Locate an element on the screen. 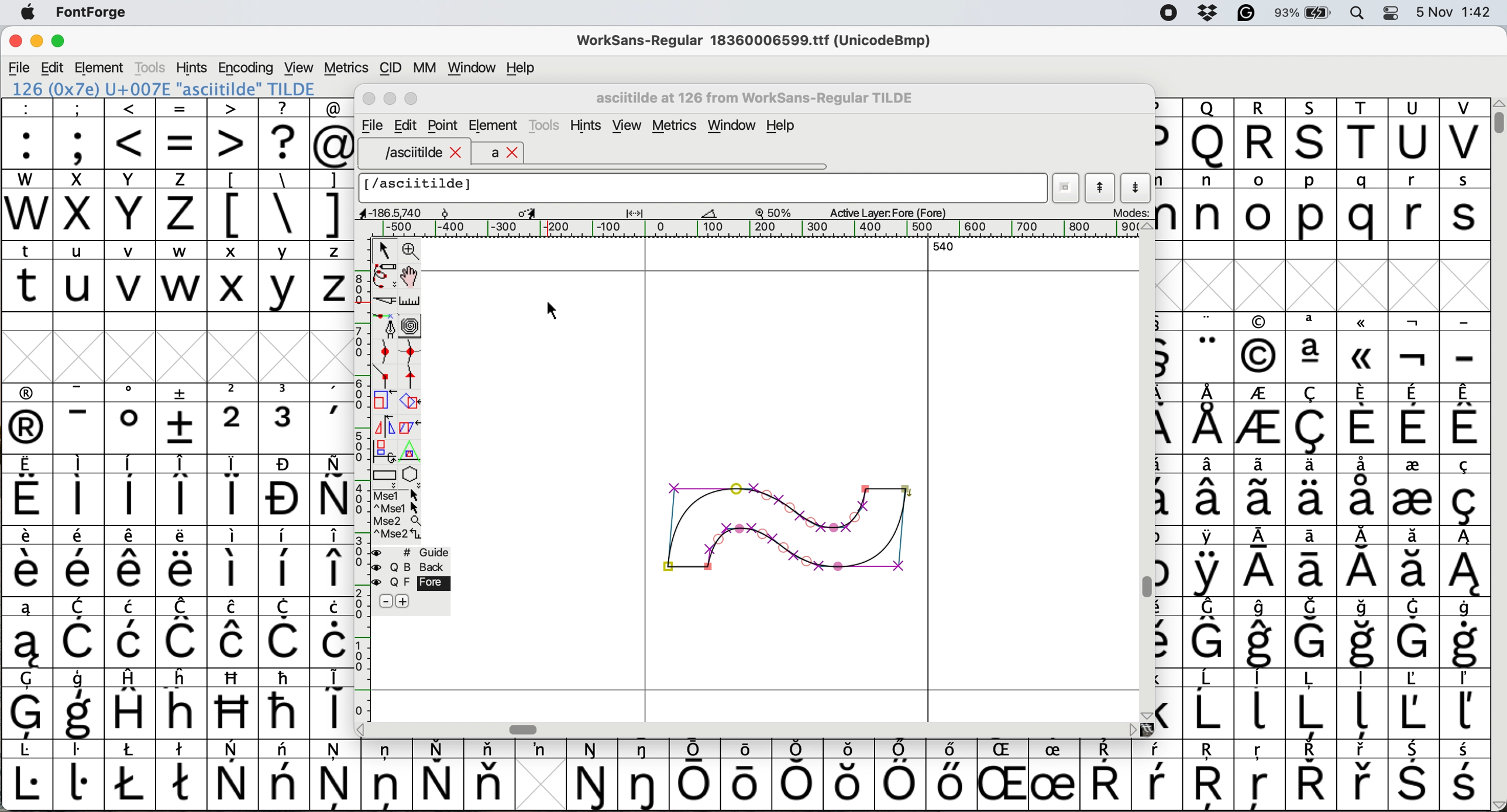 This screenshot has width=1507, height=812. 126 (0x7e) U+007E "asciitilde" TILDE is located at coordinates (165, 88).